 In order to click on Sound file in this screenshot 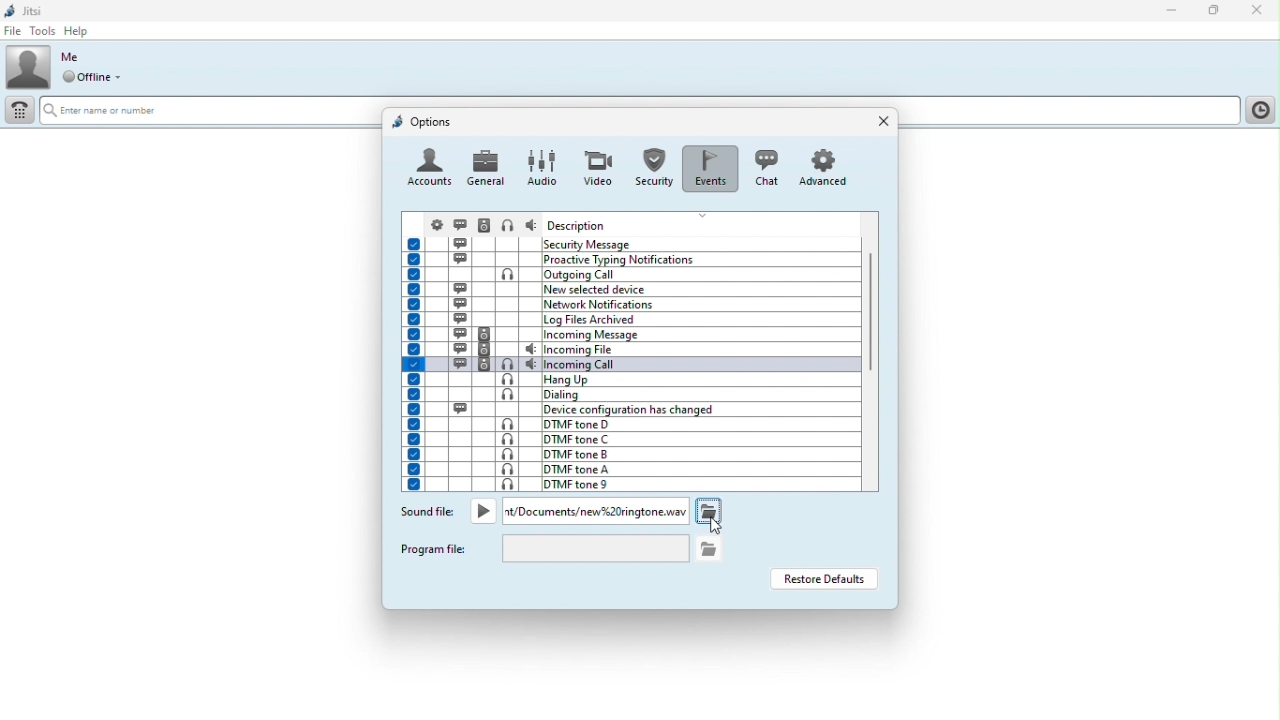, I will do `click(428, 514)`.